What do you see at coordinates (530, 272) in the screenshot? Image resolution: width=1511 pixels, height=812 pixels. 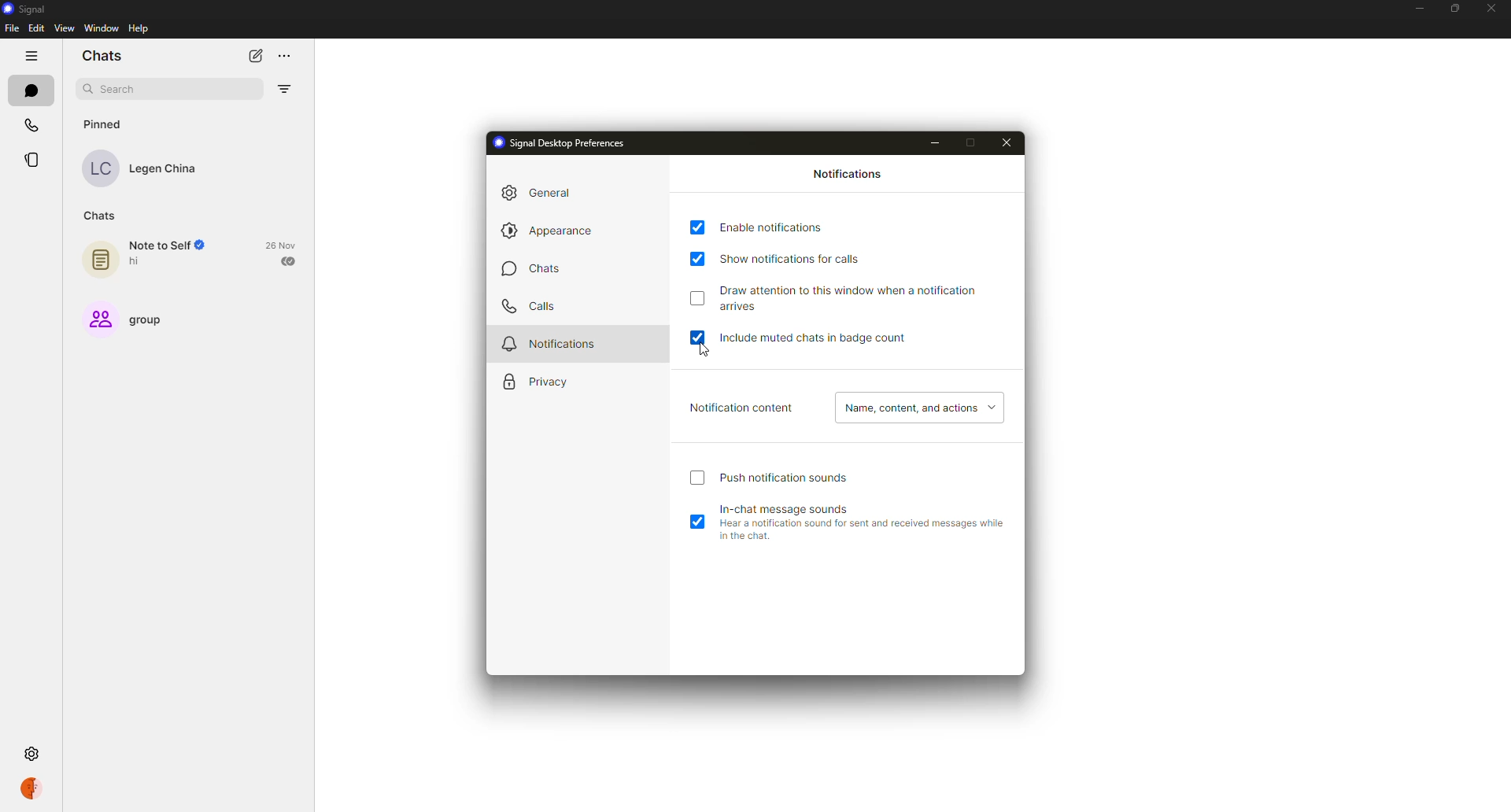 I see `chats` at bounding box center [530, 272].